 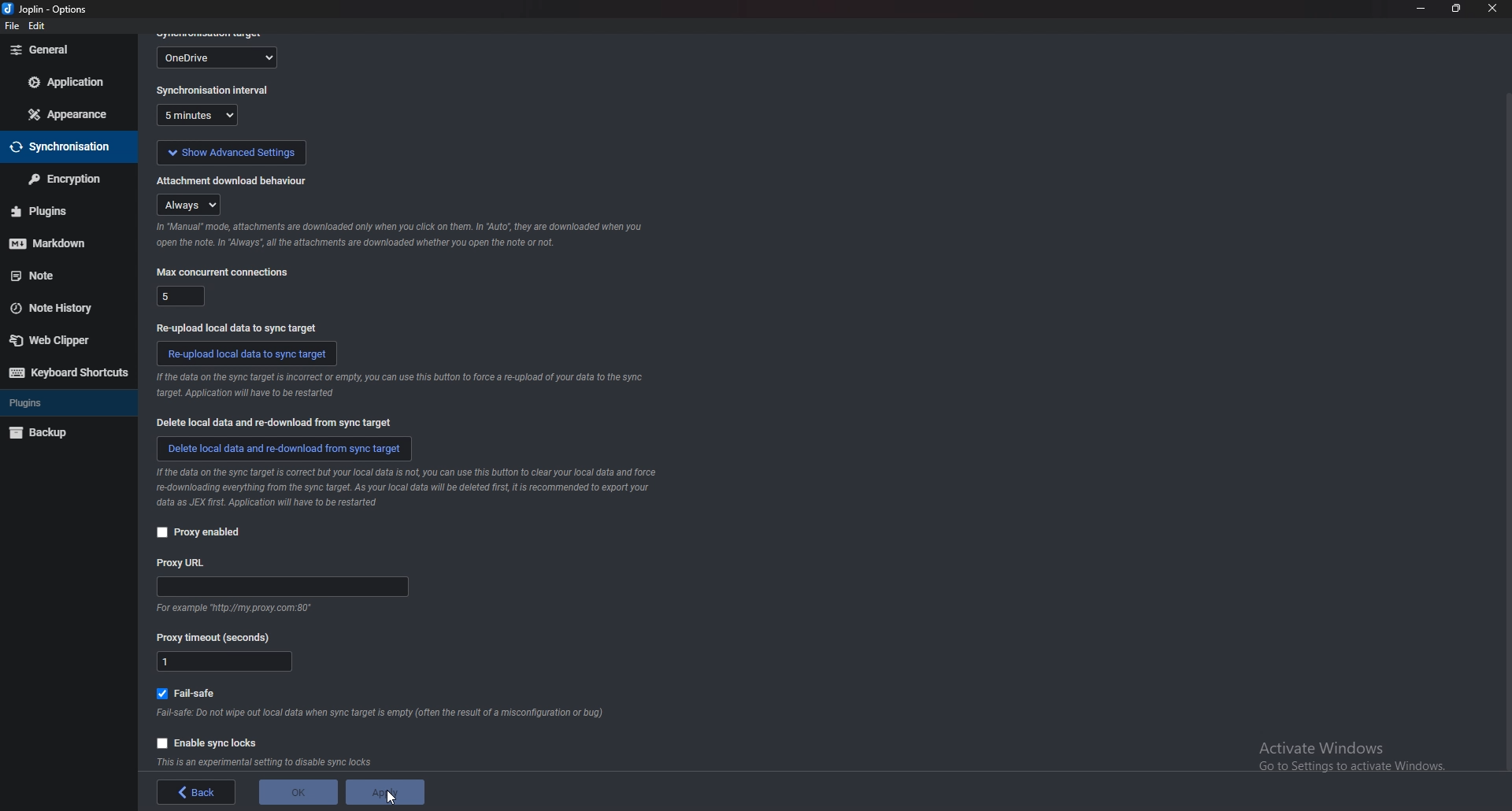 What do you see at coordinates (63, 180) in the screenshot?
I see `encryption` at bounding box center [63, 180].